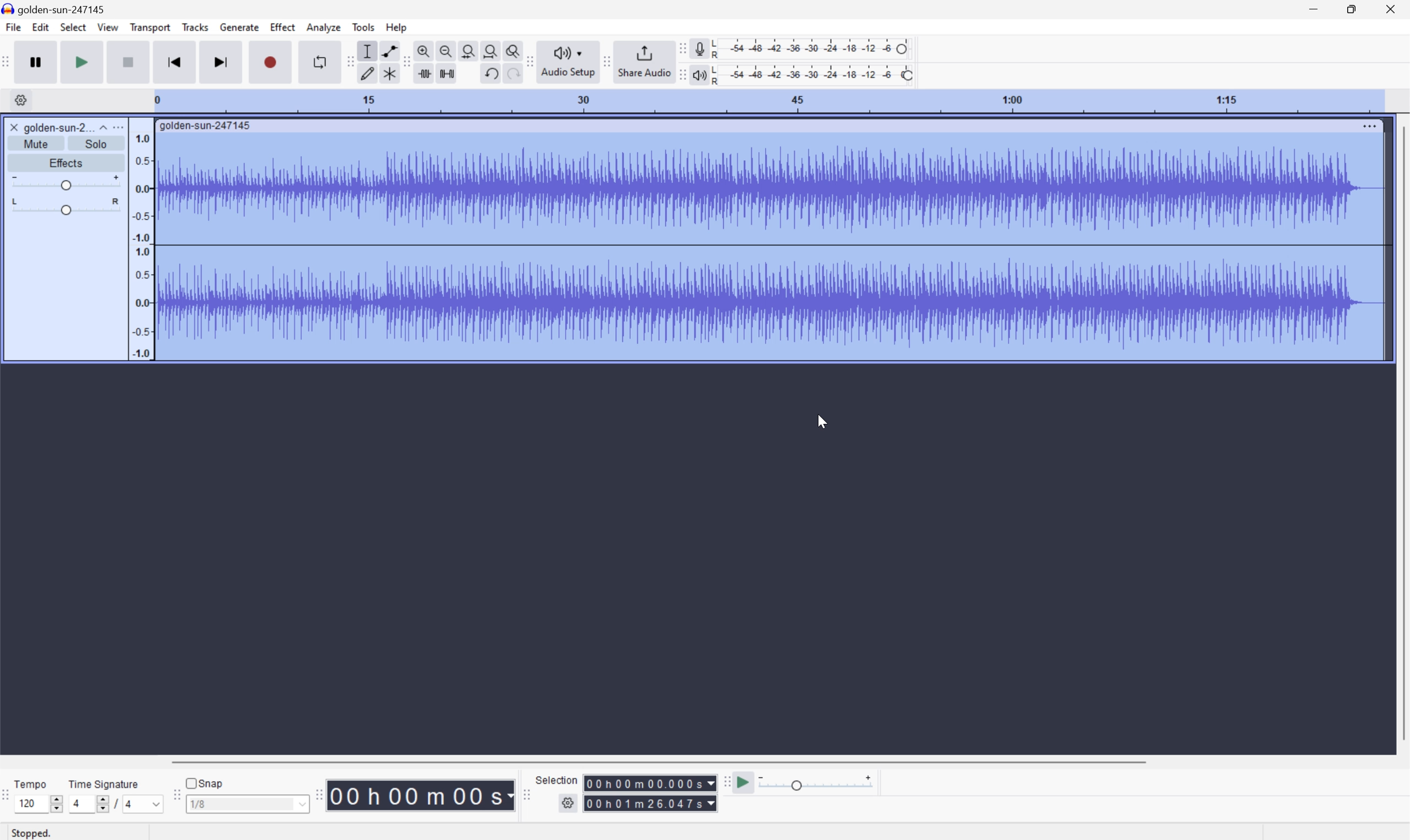 This screenshot has height=840, width=1410. I want to click on Selection Tool, so click(368, 50).